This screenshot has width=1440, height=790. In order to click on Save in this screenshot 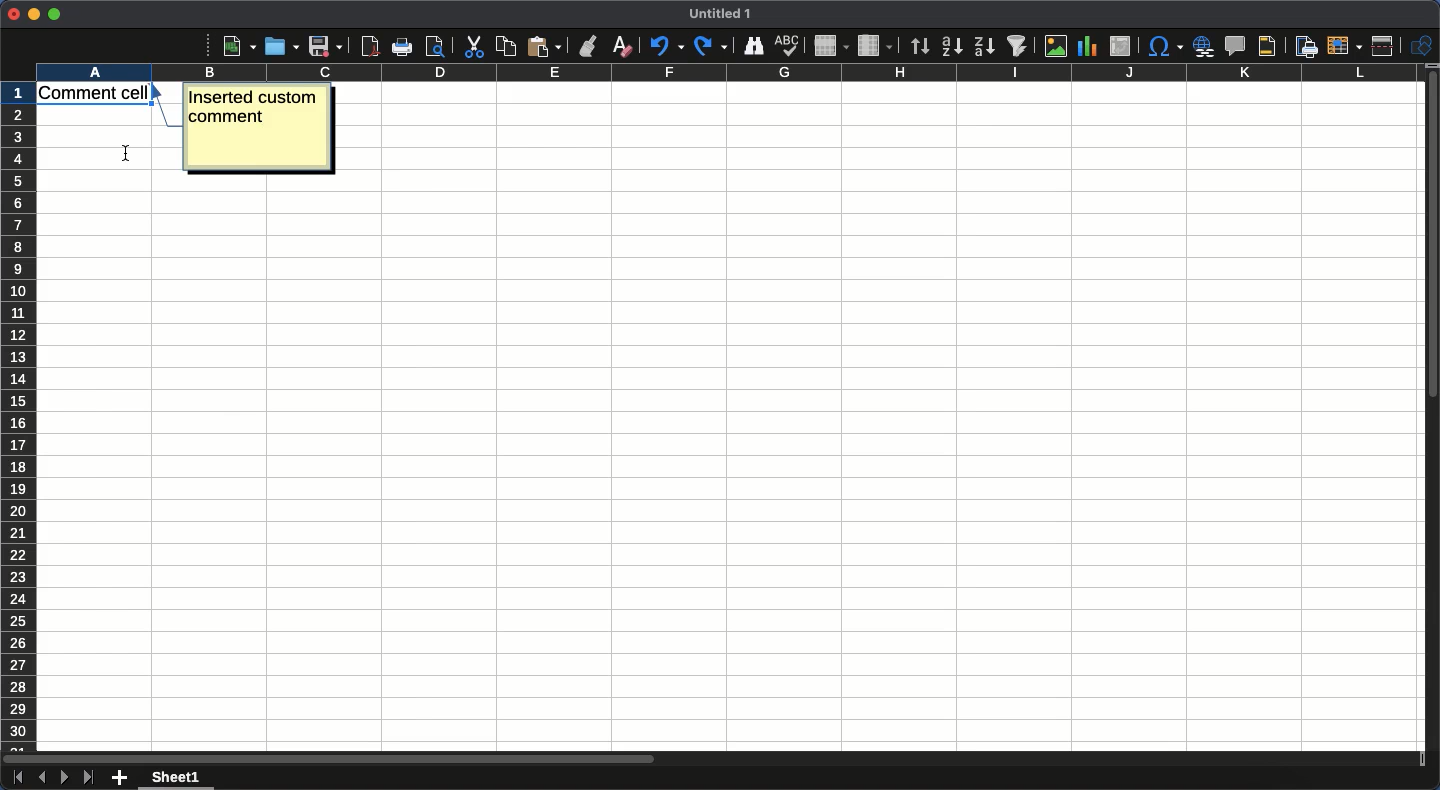, I will do `click(324, 46)`.